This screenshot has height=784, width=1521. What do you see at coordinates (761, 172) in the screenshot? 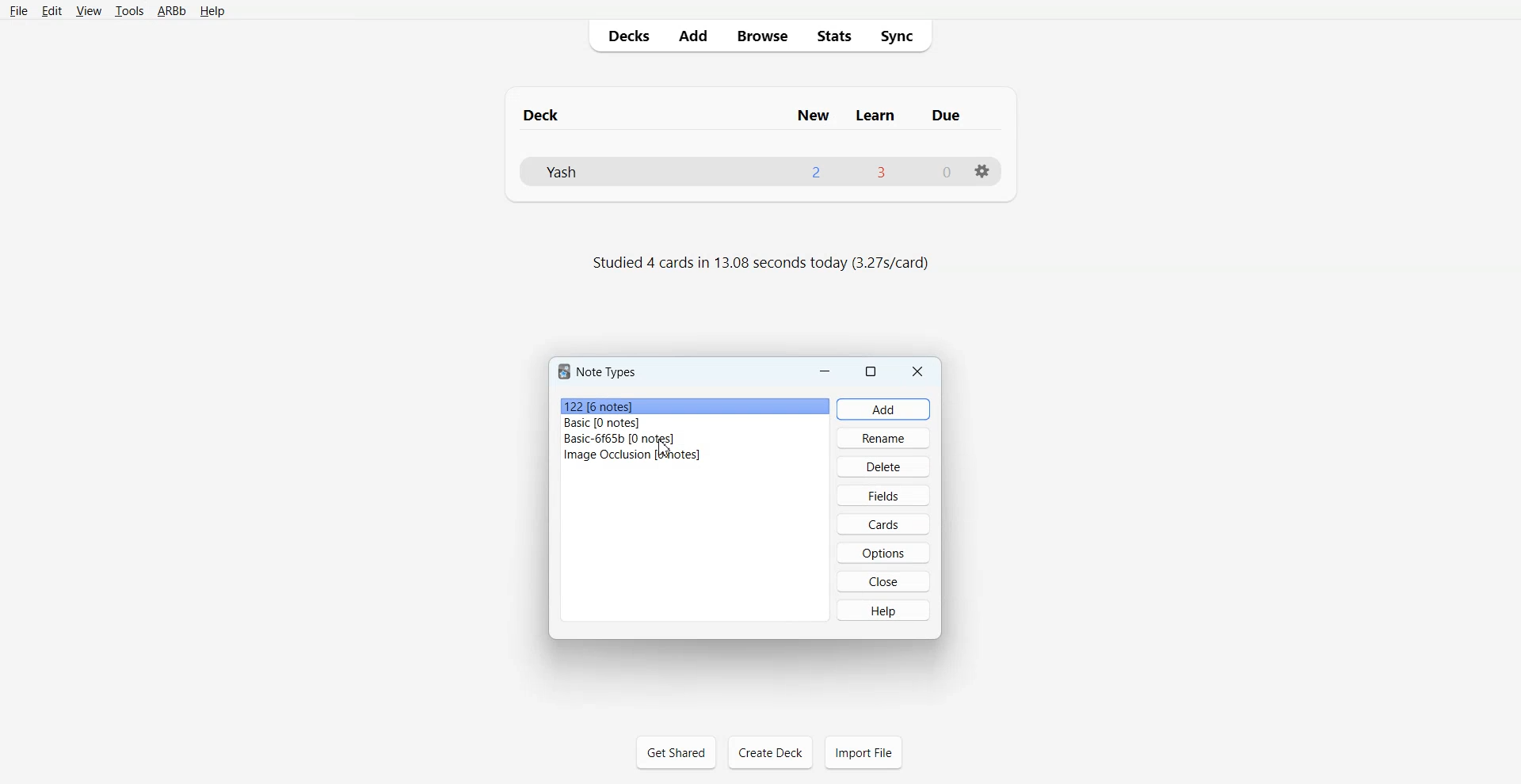
I see `Deck File` at bounding box center [761, 172].